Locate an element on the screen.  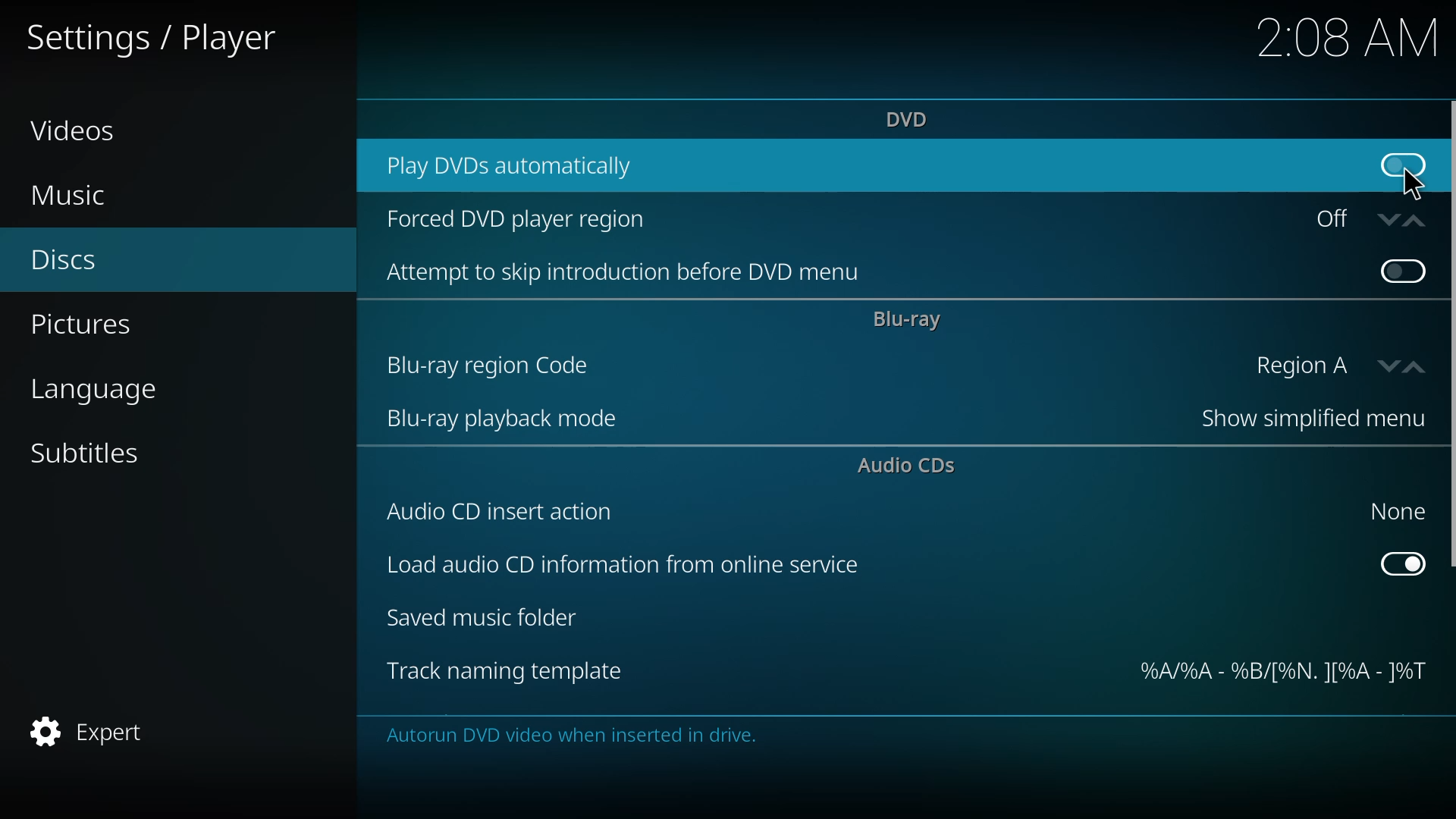
none is located at coordinates (1393, 510).